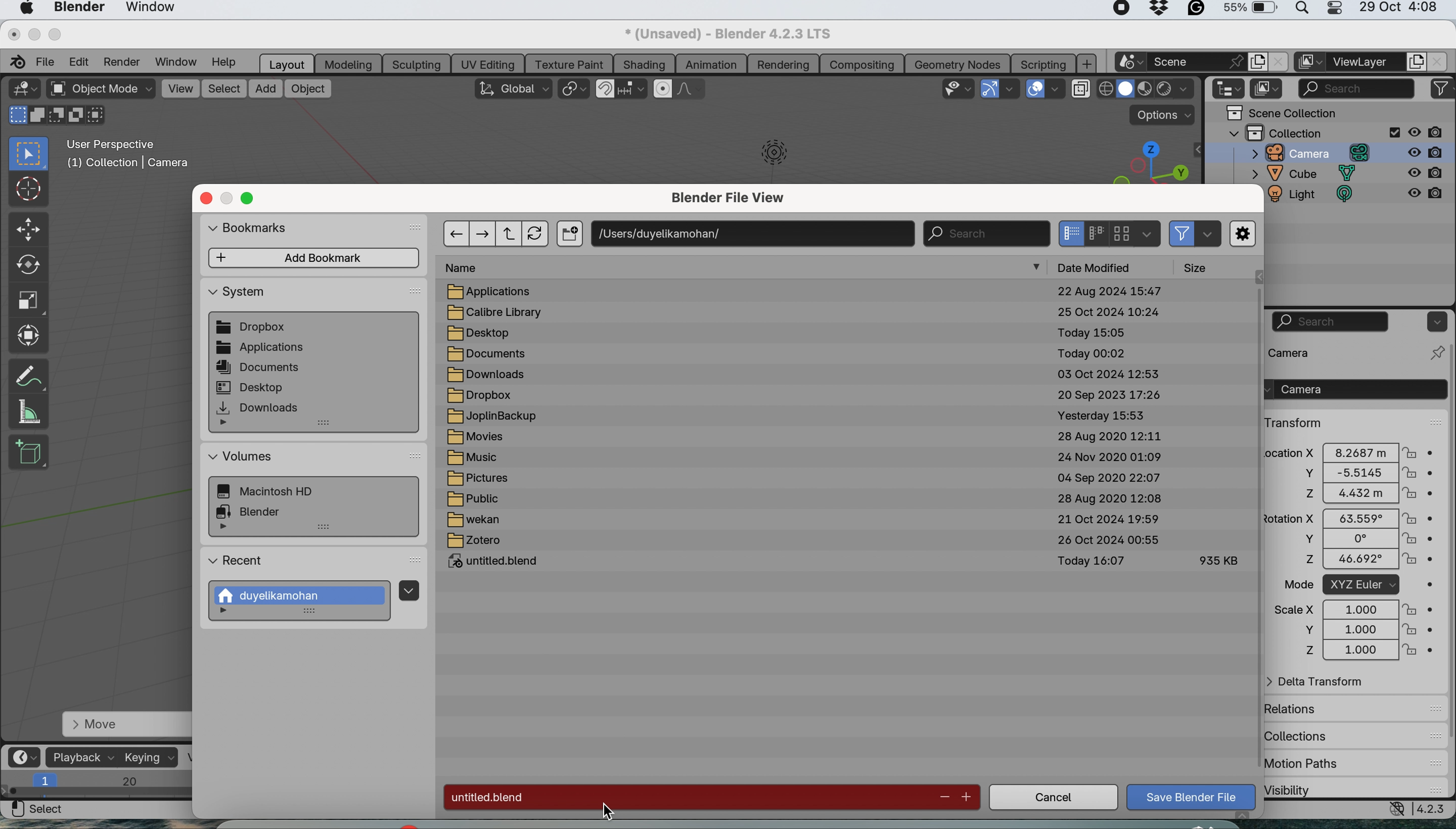  Describe the element at coordinates (486, 333) in the screenshot. I see `desktop` at that location.